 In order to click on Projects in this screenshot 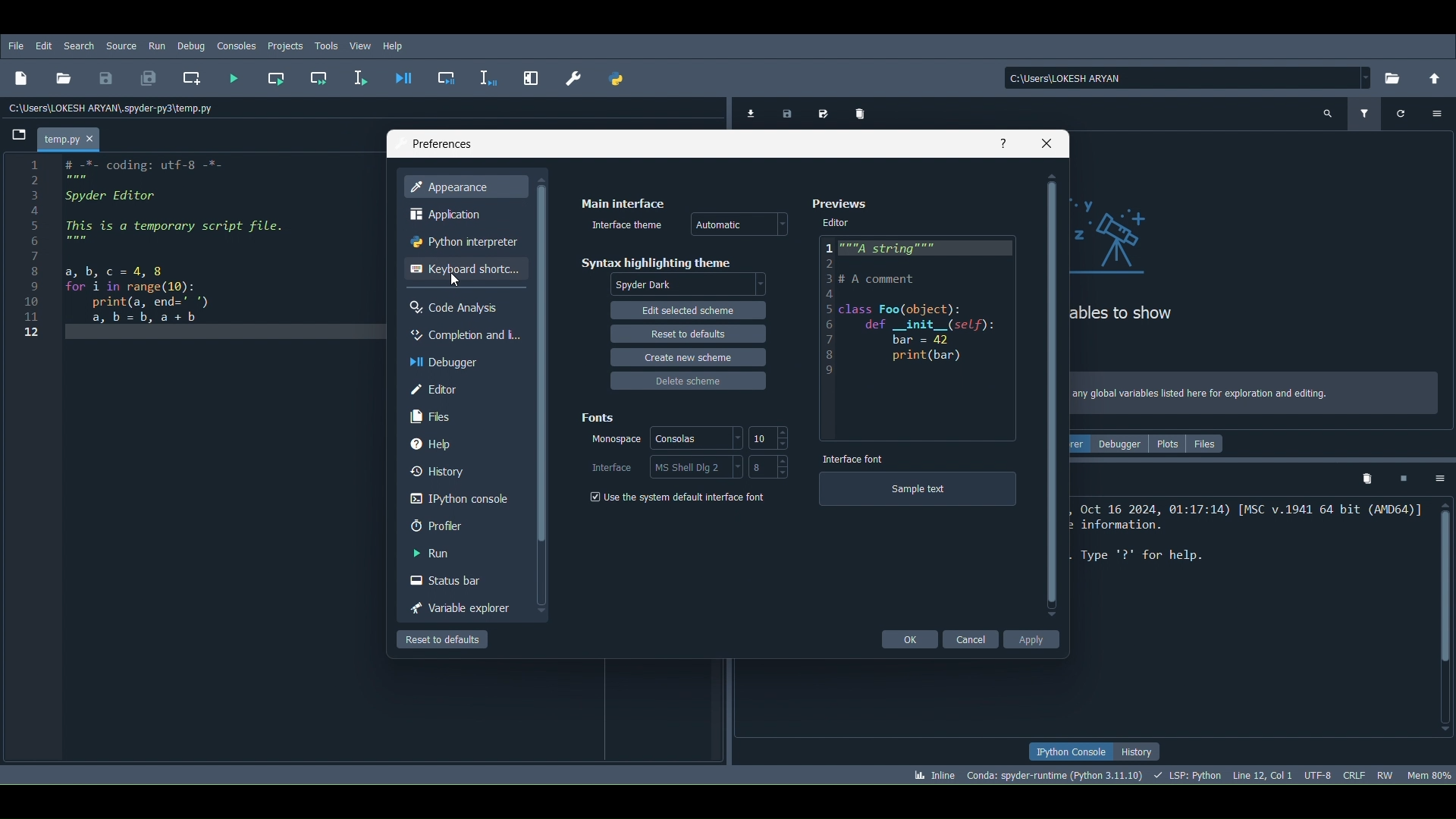, I will do `click(286, 45)`.